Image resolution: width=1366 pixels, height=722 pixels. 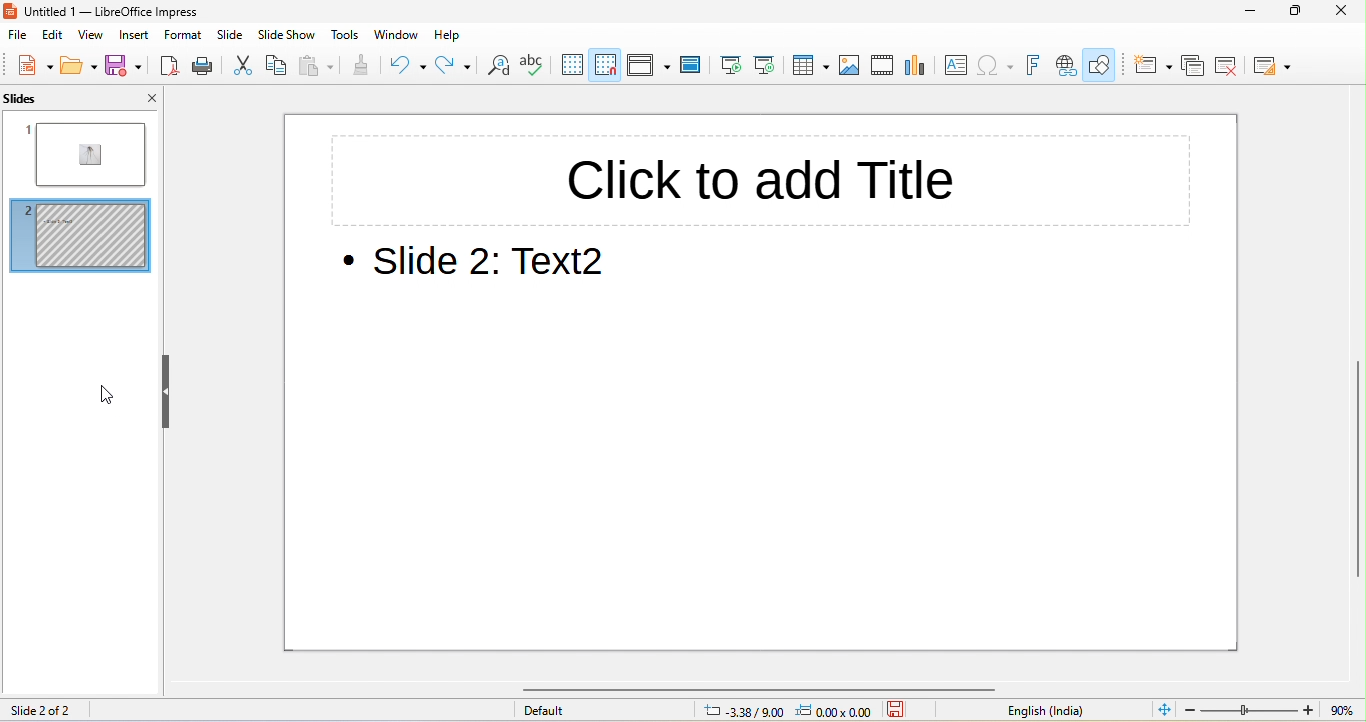 I want to click on horizontal scroll bar, so click(x=777, y=688).